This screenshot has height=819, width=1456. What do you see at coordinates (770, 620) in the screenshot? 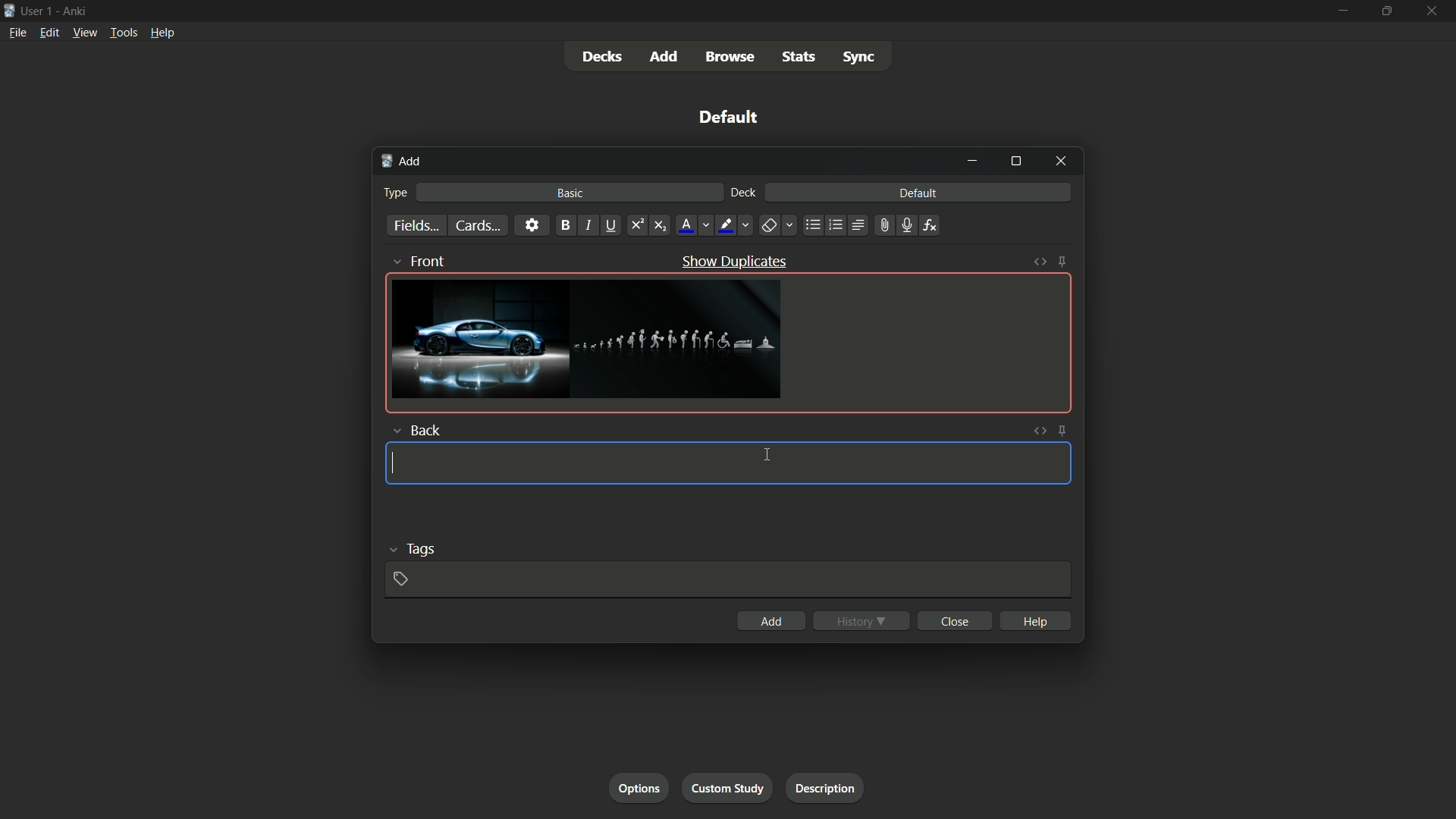
I see `add` at bounding box center [770, 620].